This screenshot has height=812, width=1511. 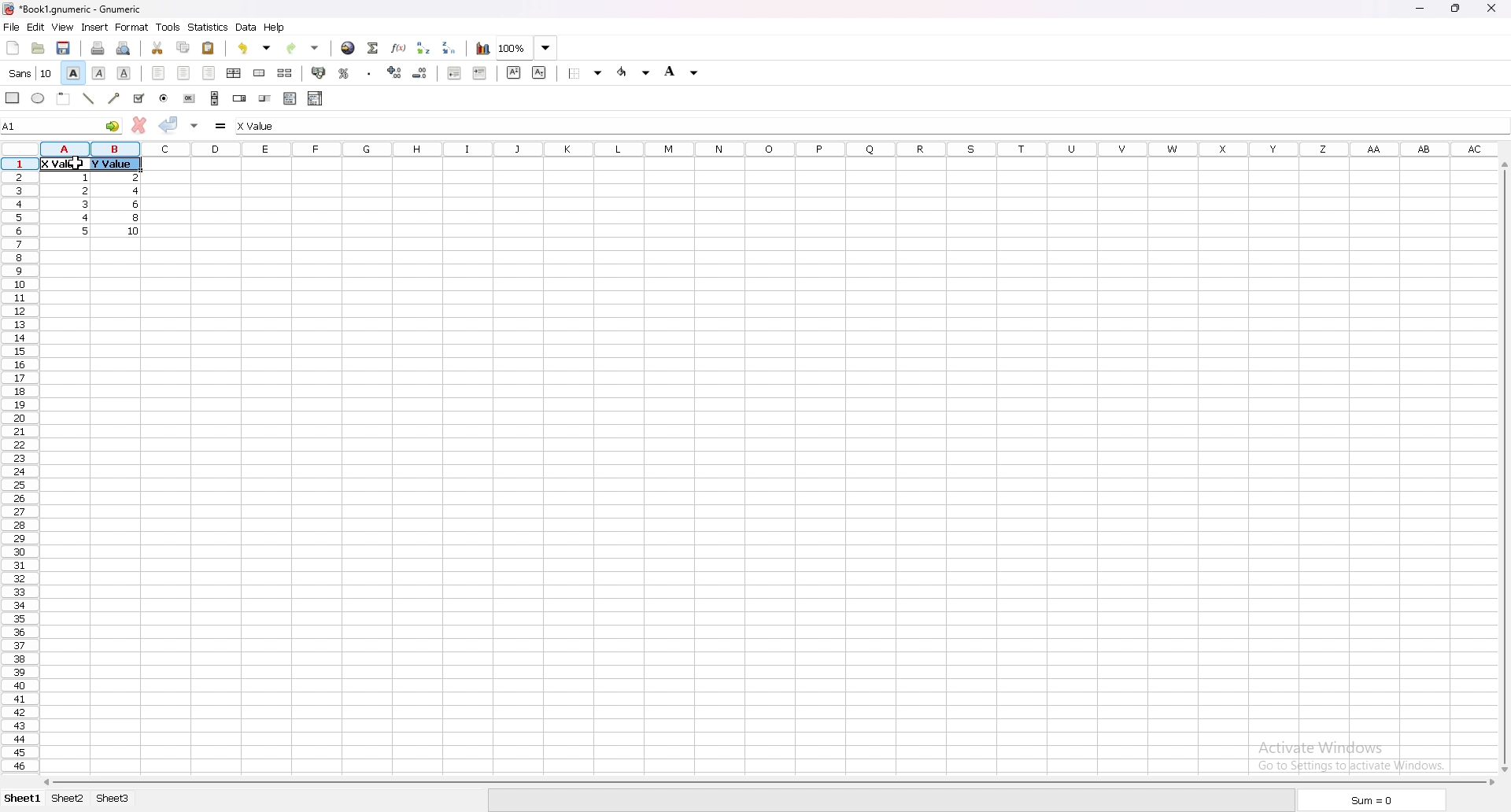 What do you see at coordinates (84, 190) in the screenshot?
I see `value` at bounding box center [84, 190].